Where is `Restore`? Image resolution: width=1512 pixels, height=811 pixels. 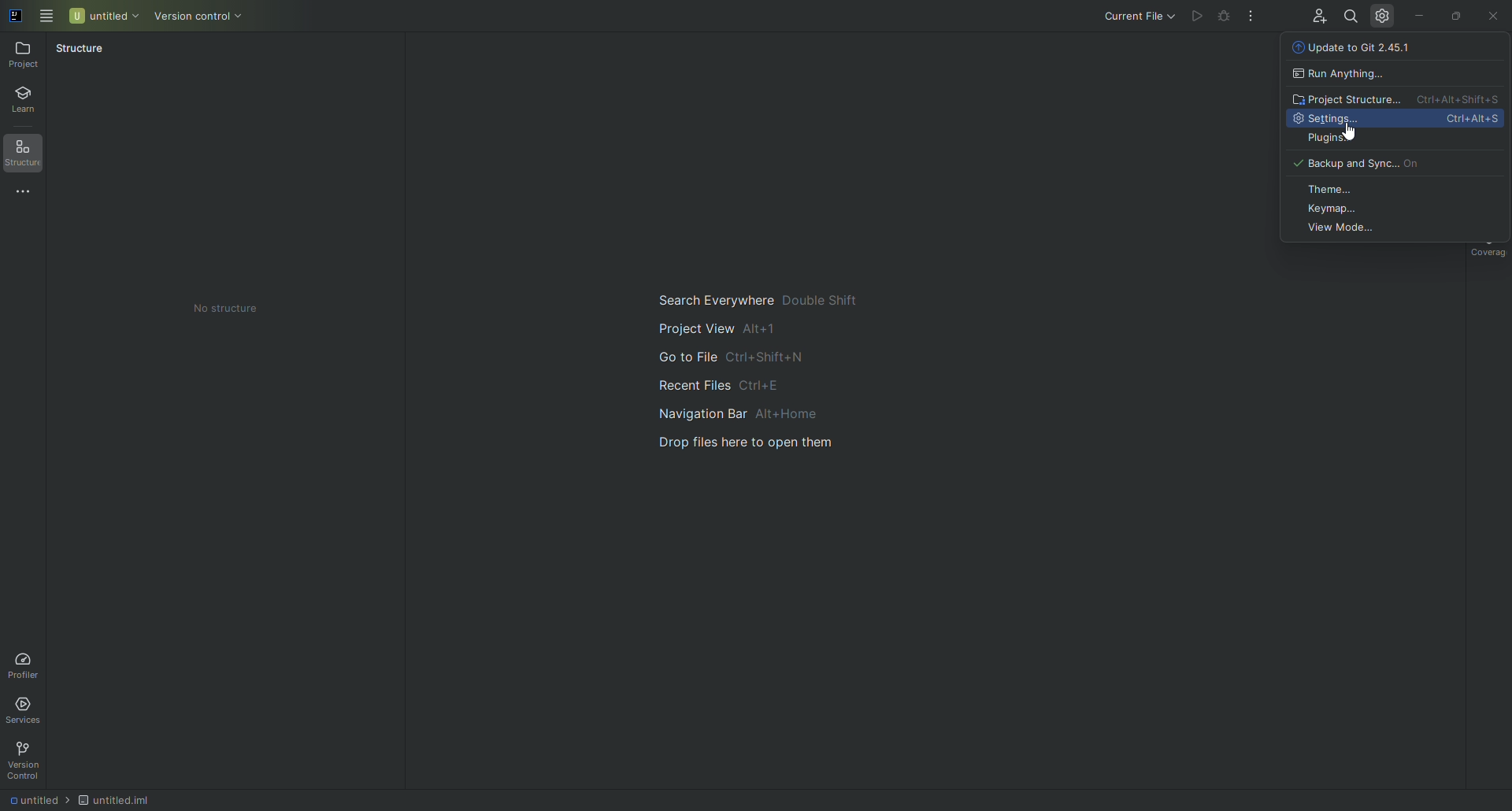 Restore is located at coordinates (1454, 14).